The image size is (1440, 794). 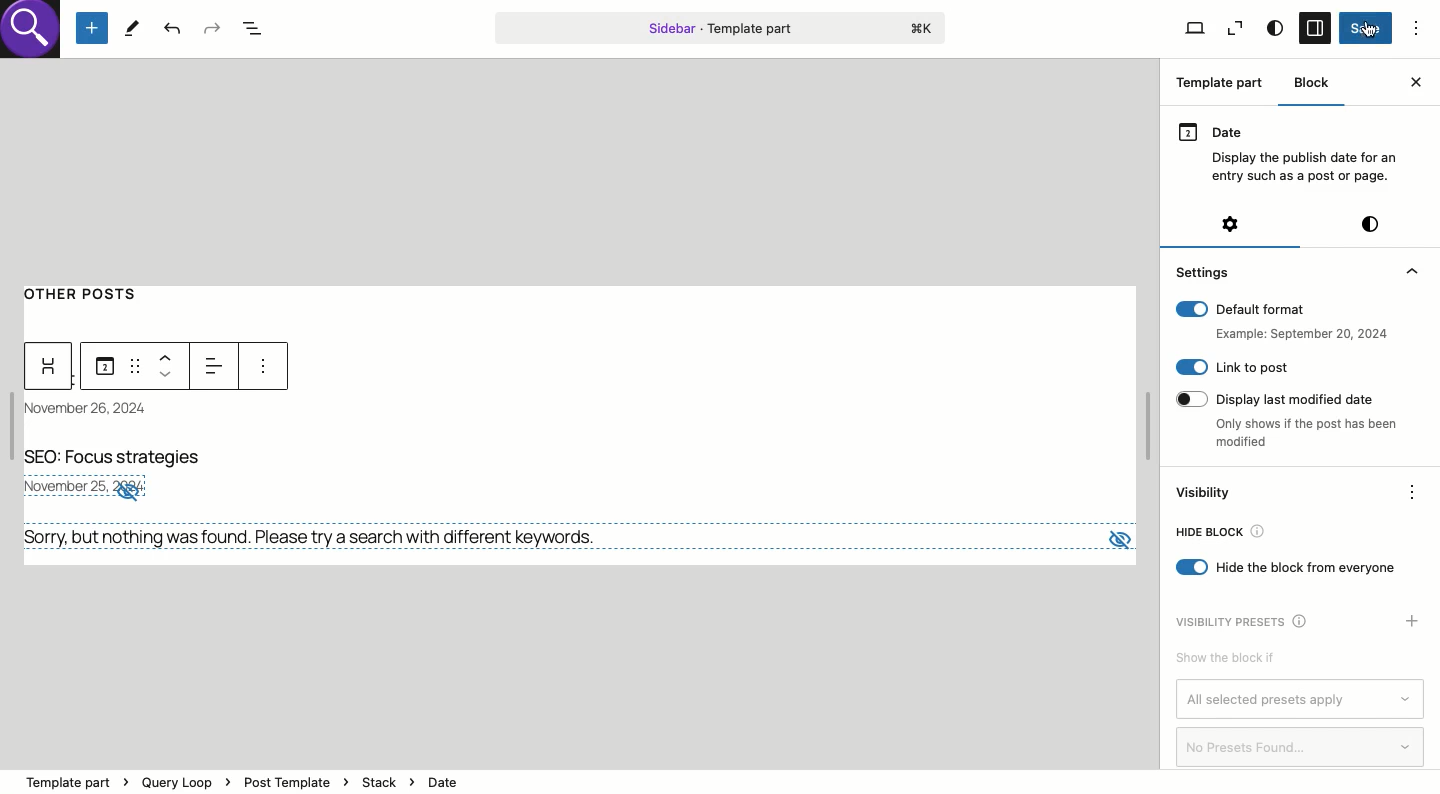 What do you see at coordinates (1285, 397) in the screenshot?
I see `Display last modified date` at bounding box center [1285, 397].